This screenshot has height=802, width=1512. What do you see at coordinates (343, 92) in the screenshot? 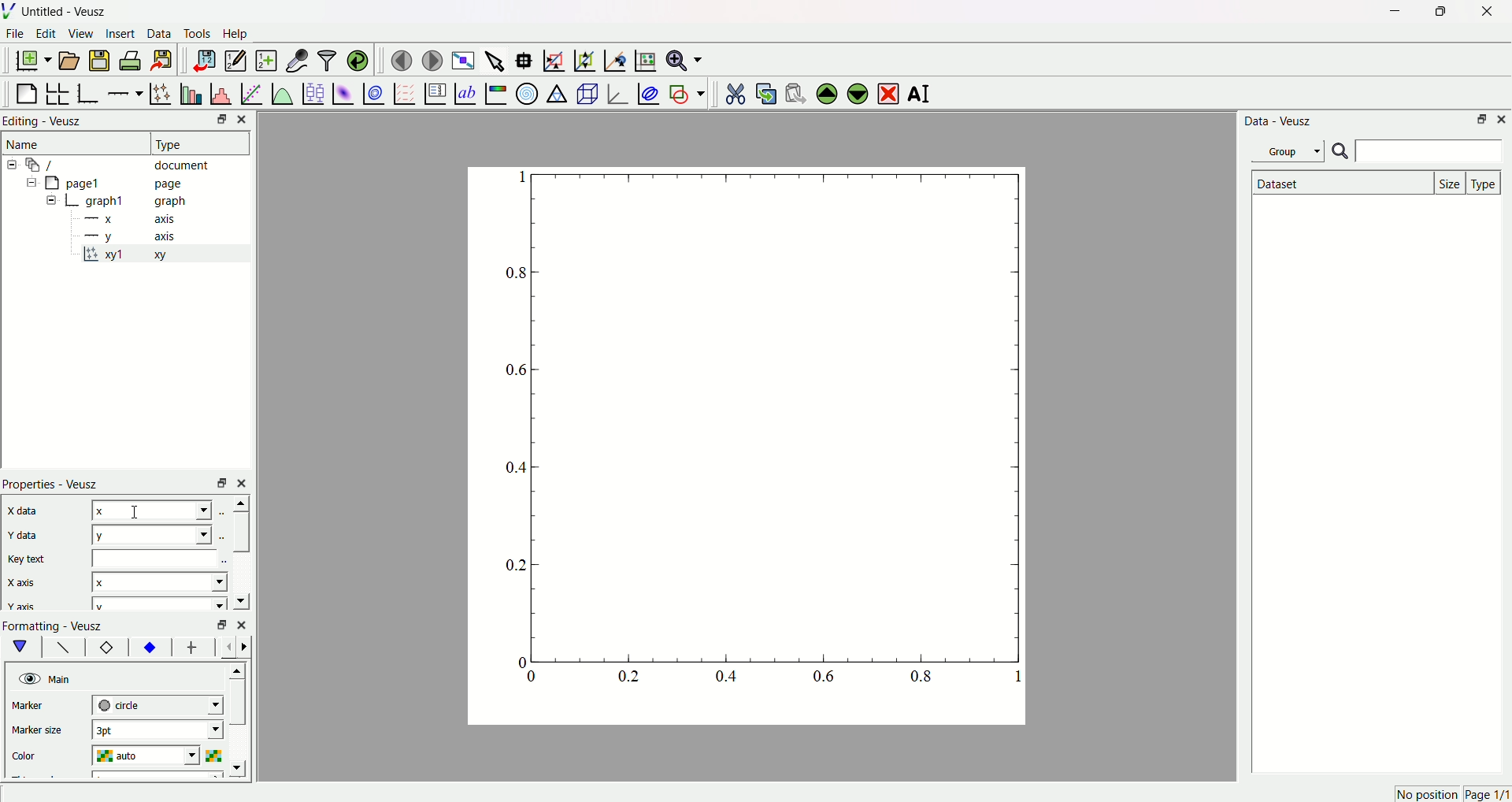
I see `plot 2 d datasets as image` at bounding box center [343, 92].